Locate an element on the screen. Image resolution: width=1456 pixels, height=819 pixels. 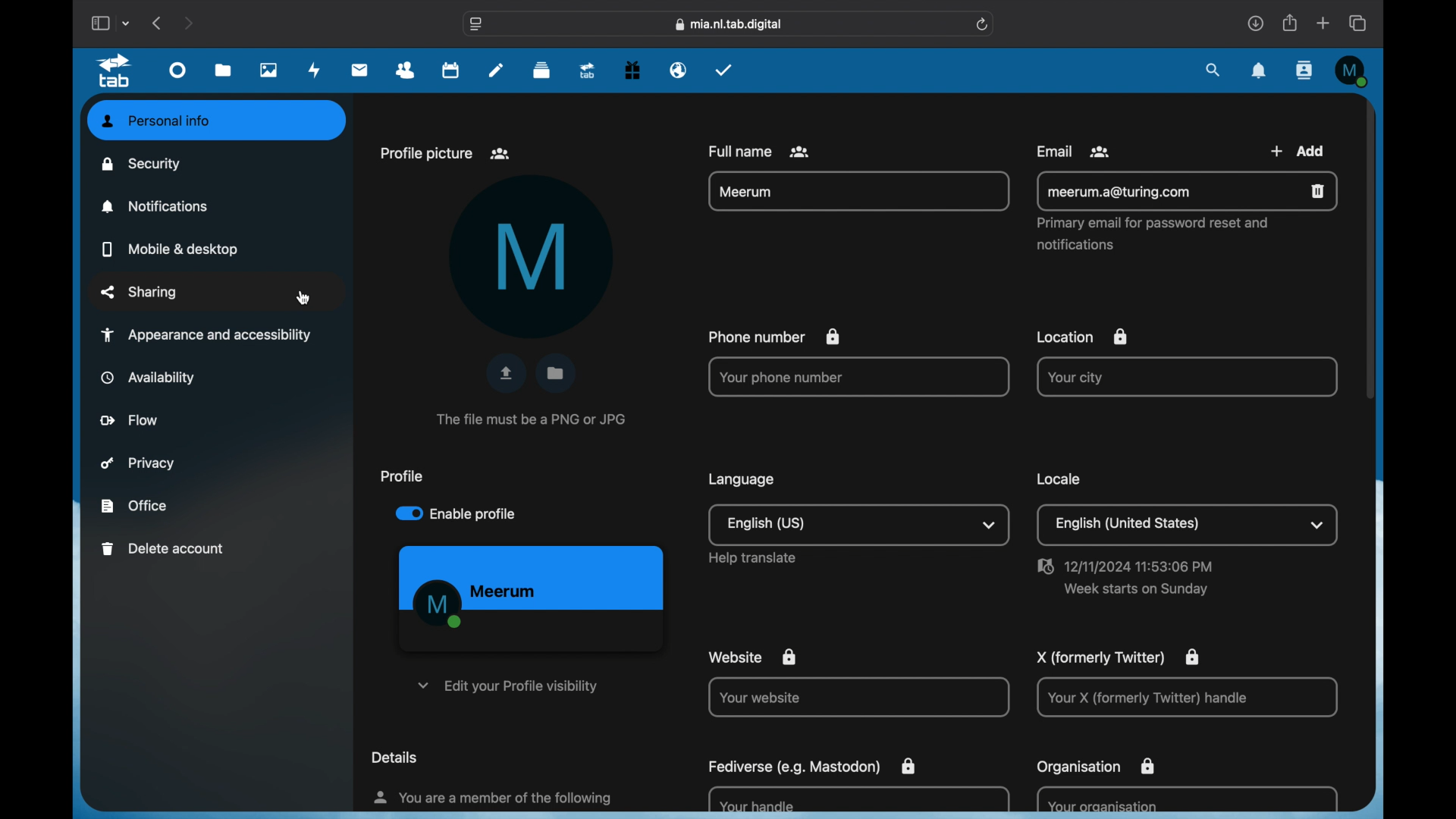
files is located at coordinates (223, 71).